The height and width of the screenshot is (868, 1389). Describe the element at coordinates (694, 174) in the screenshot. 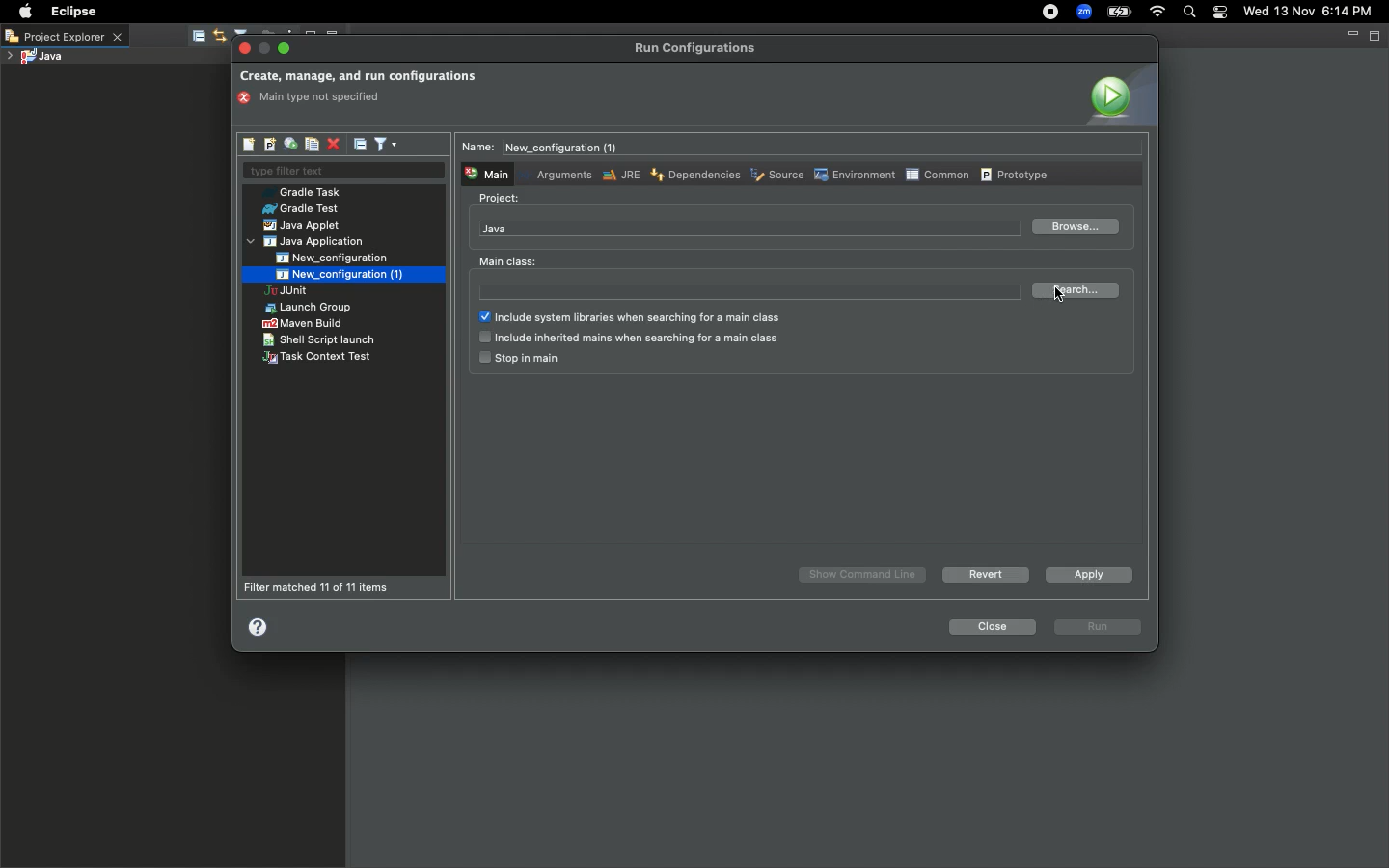

I see `Dependencies` at that location.